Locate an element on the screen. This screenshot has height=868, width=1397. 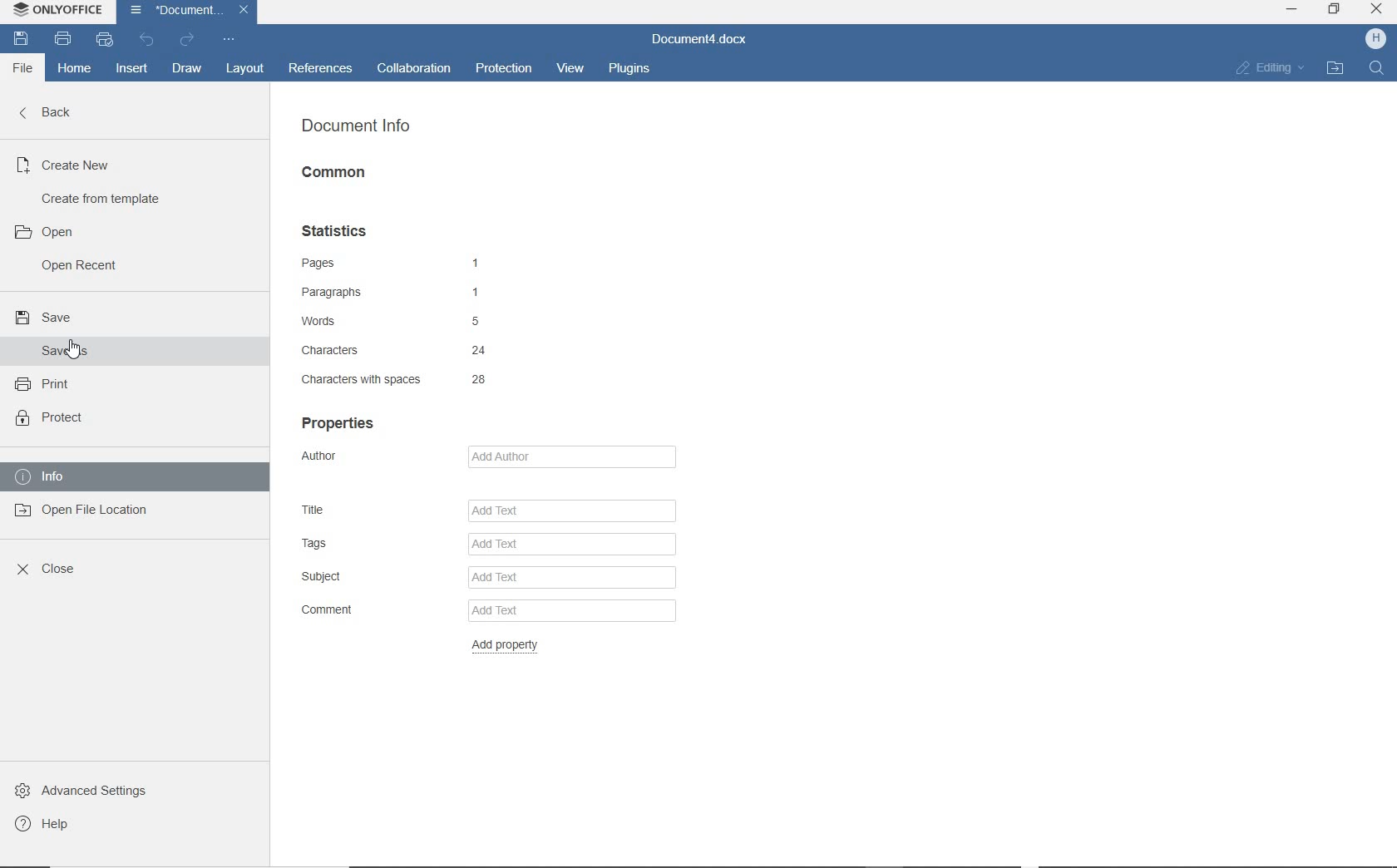
document info is located at coordinates (355, 126).